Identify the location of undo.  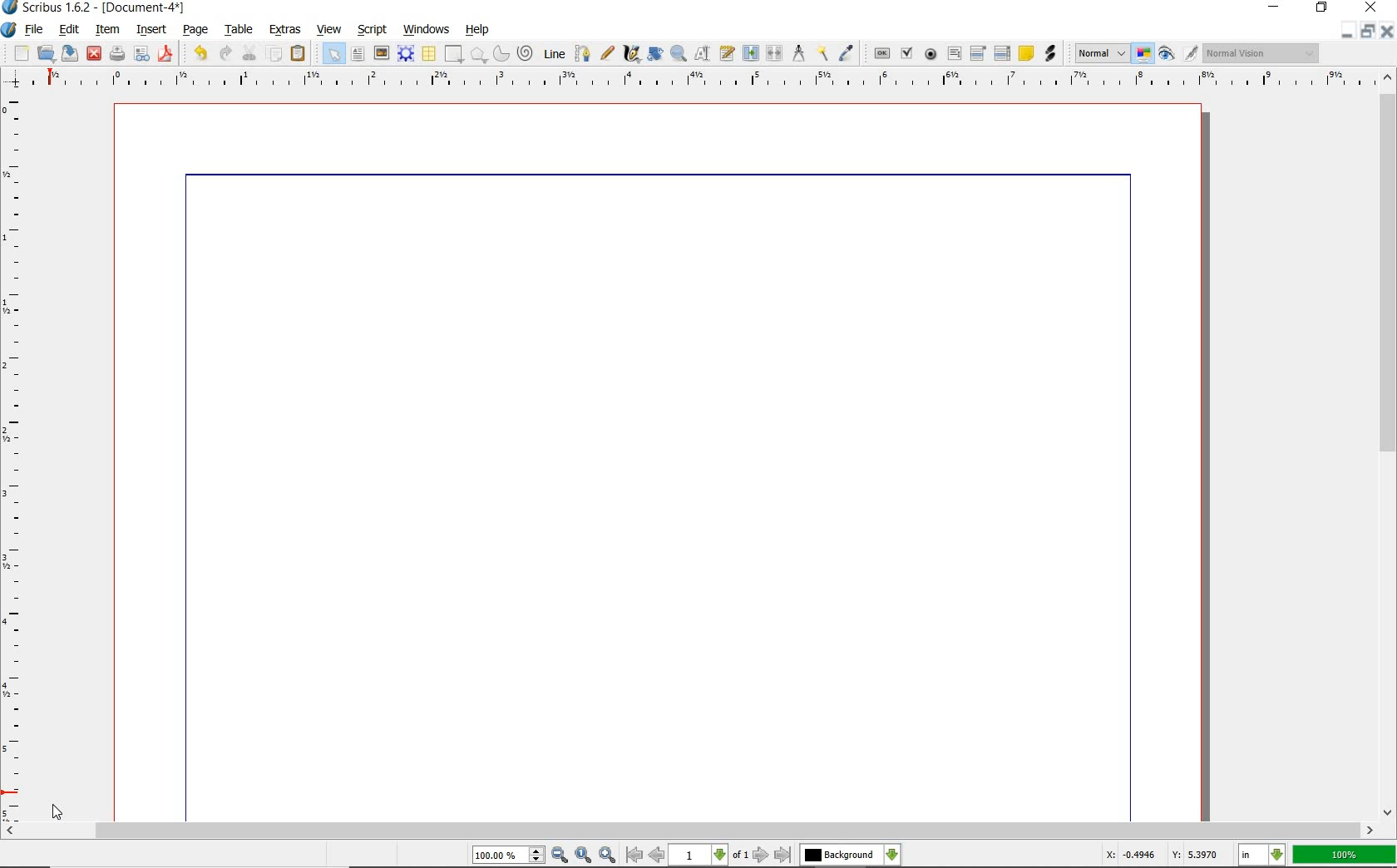
(197, 52).